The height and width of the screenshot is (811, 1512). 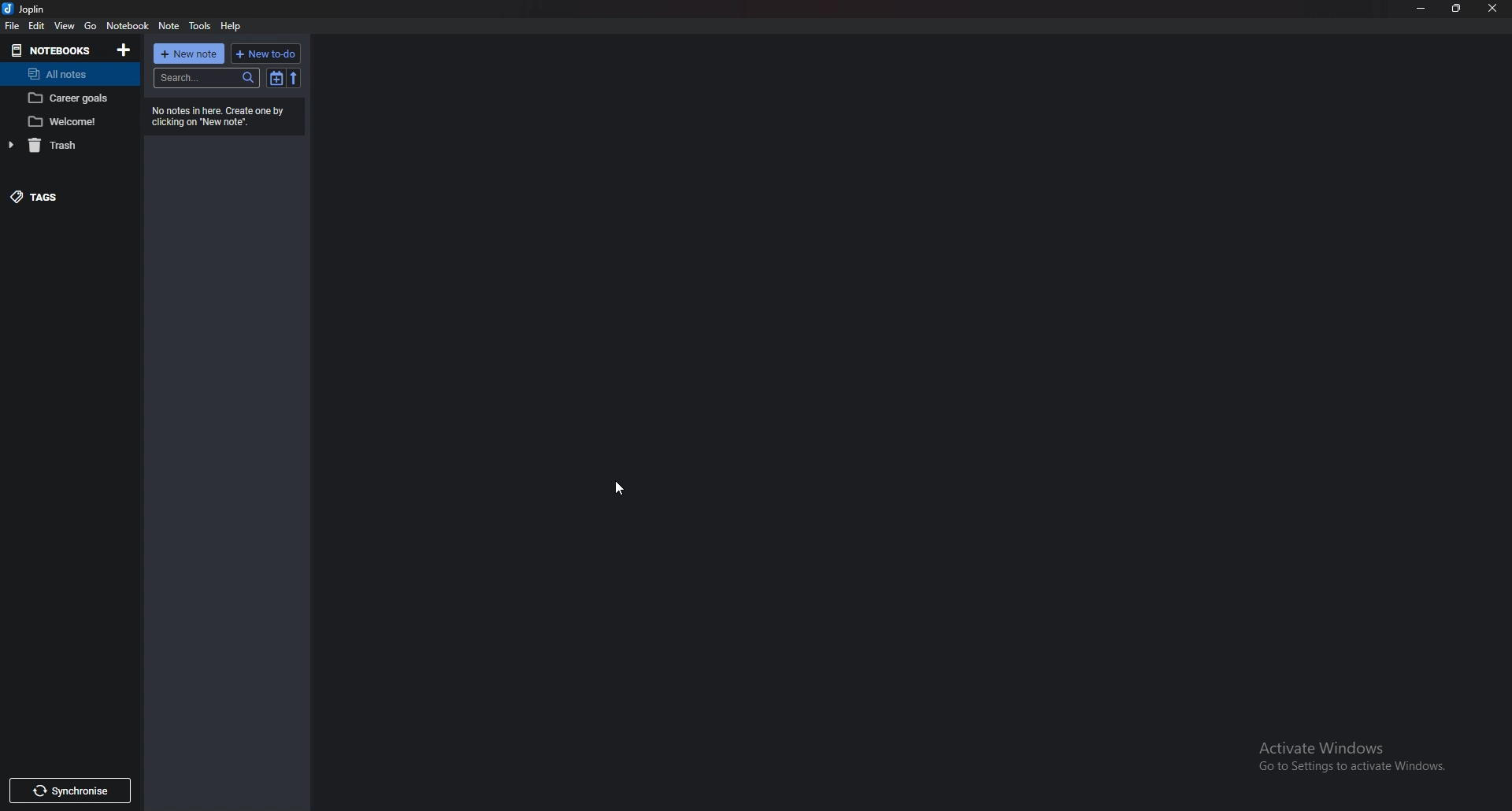 I want to click on close, so click(x=1492, y=9).